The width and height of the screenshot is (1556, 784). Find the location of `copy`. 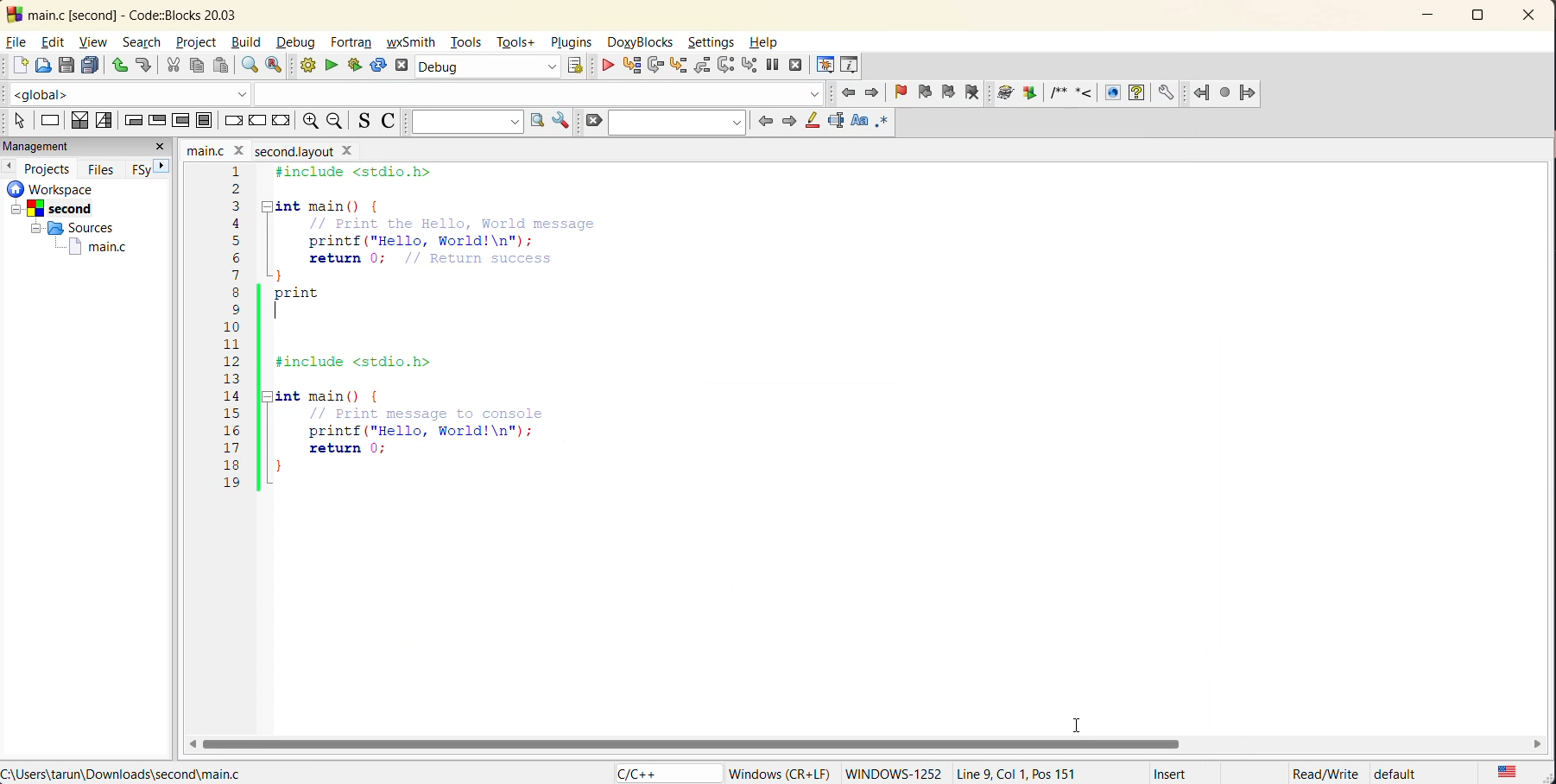

copy is located at coordinates (198, 66).